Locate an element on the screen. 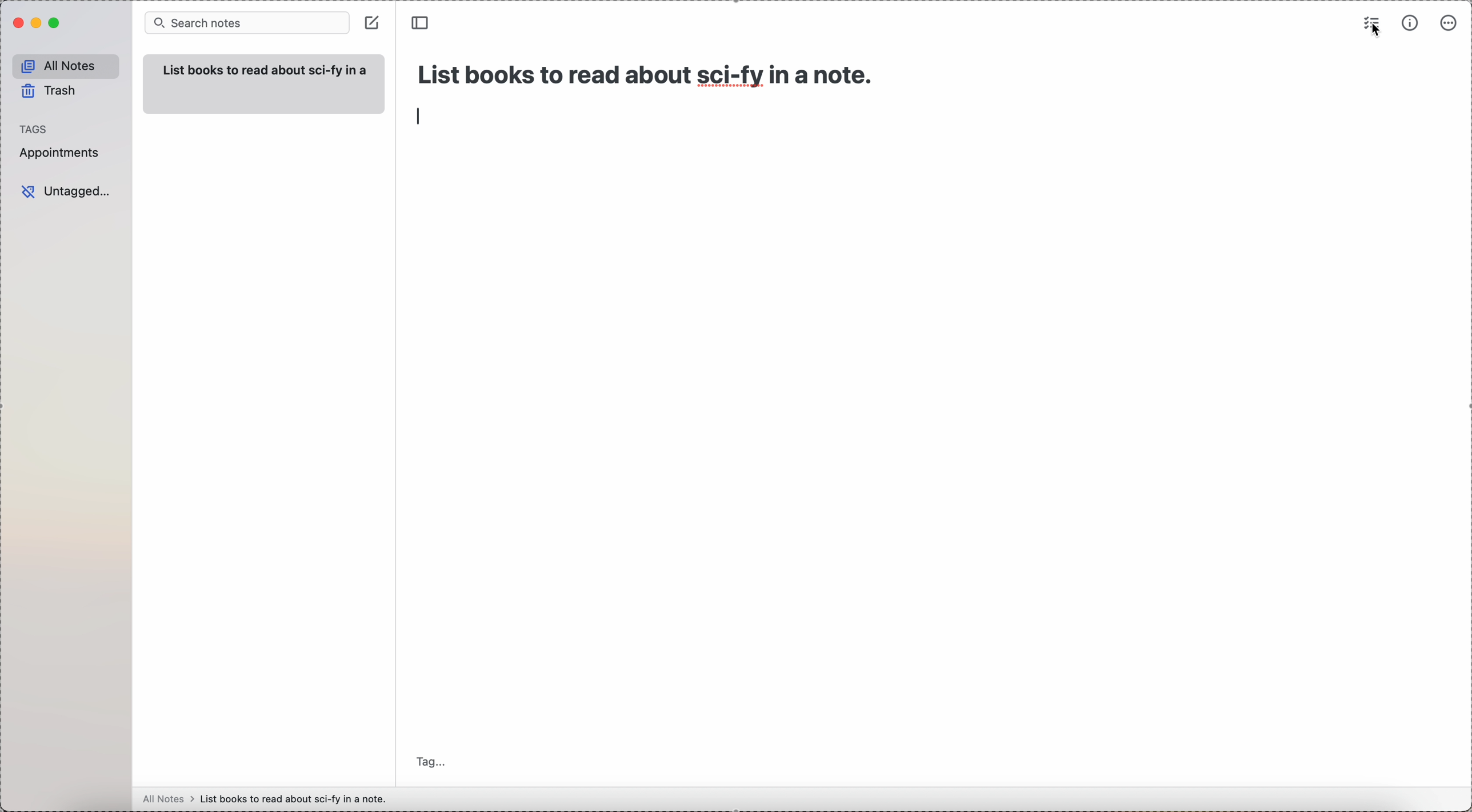  check list is located at coordinates (1371, 18).